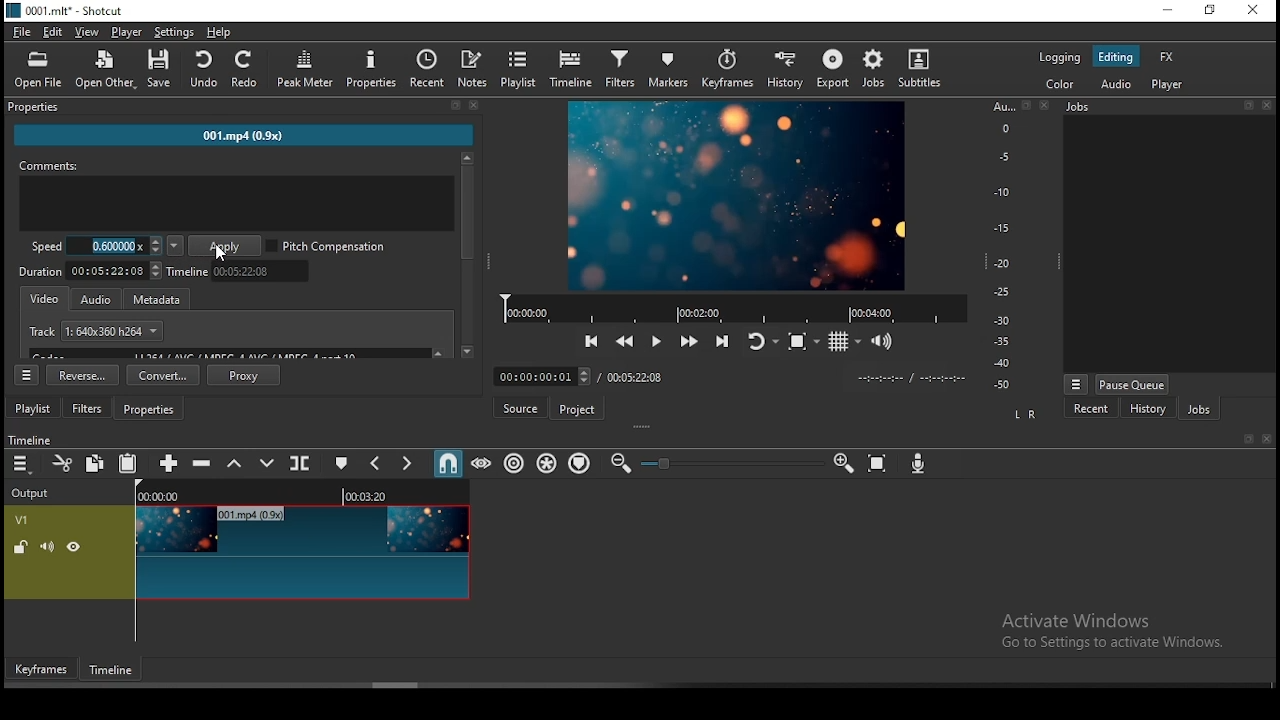  Describe the element at coordinates (513, 462) in the screenshot. I see `ripple` at that location.